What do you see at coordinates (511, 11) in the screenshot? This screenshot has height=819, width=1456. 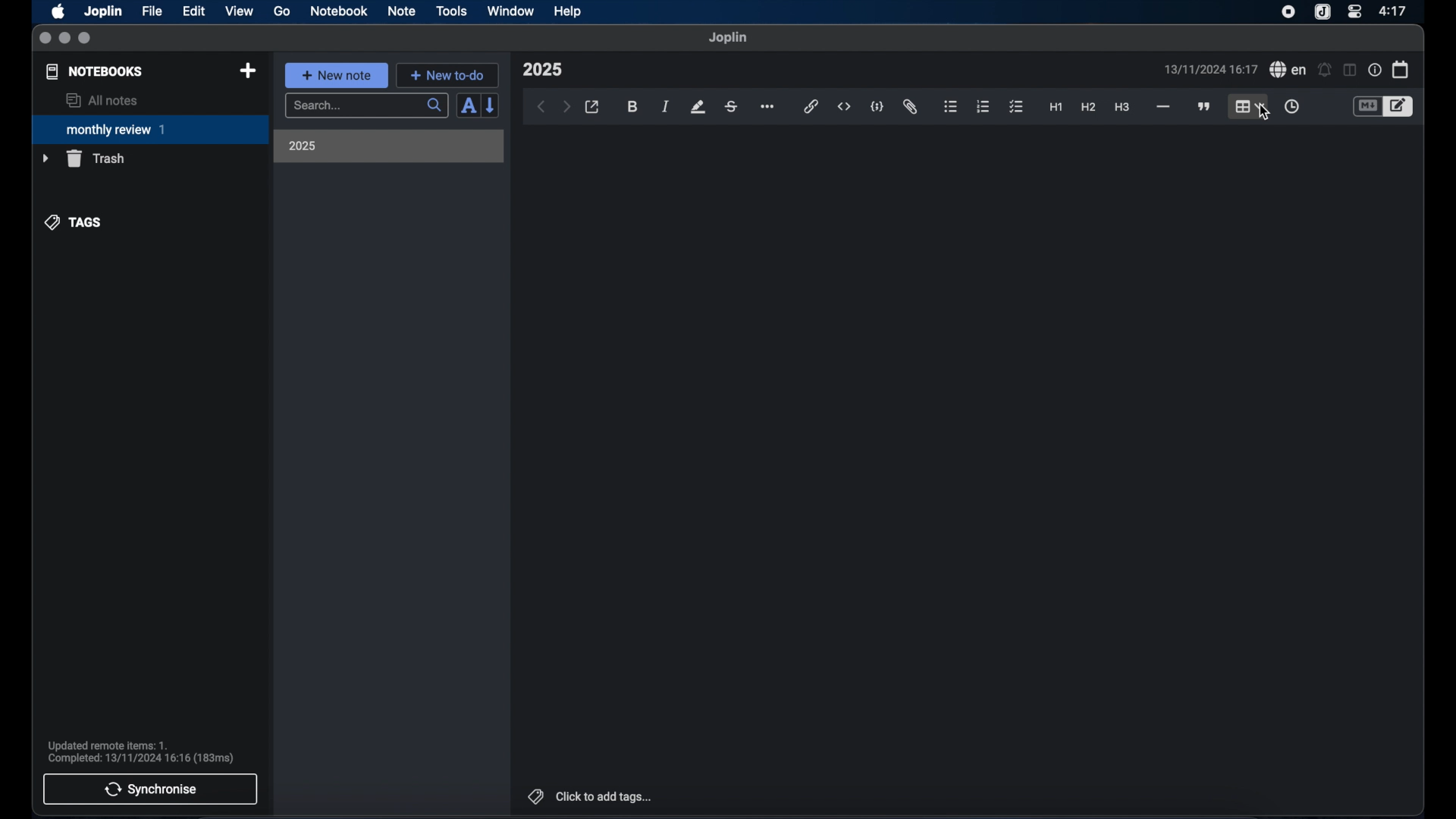 I see `window` at bounding box center [511, 11].